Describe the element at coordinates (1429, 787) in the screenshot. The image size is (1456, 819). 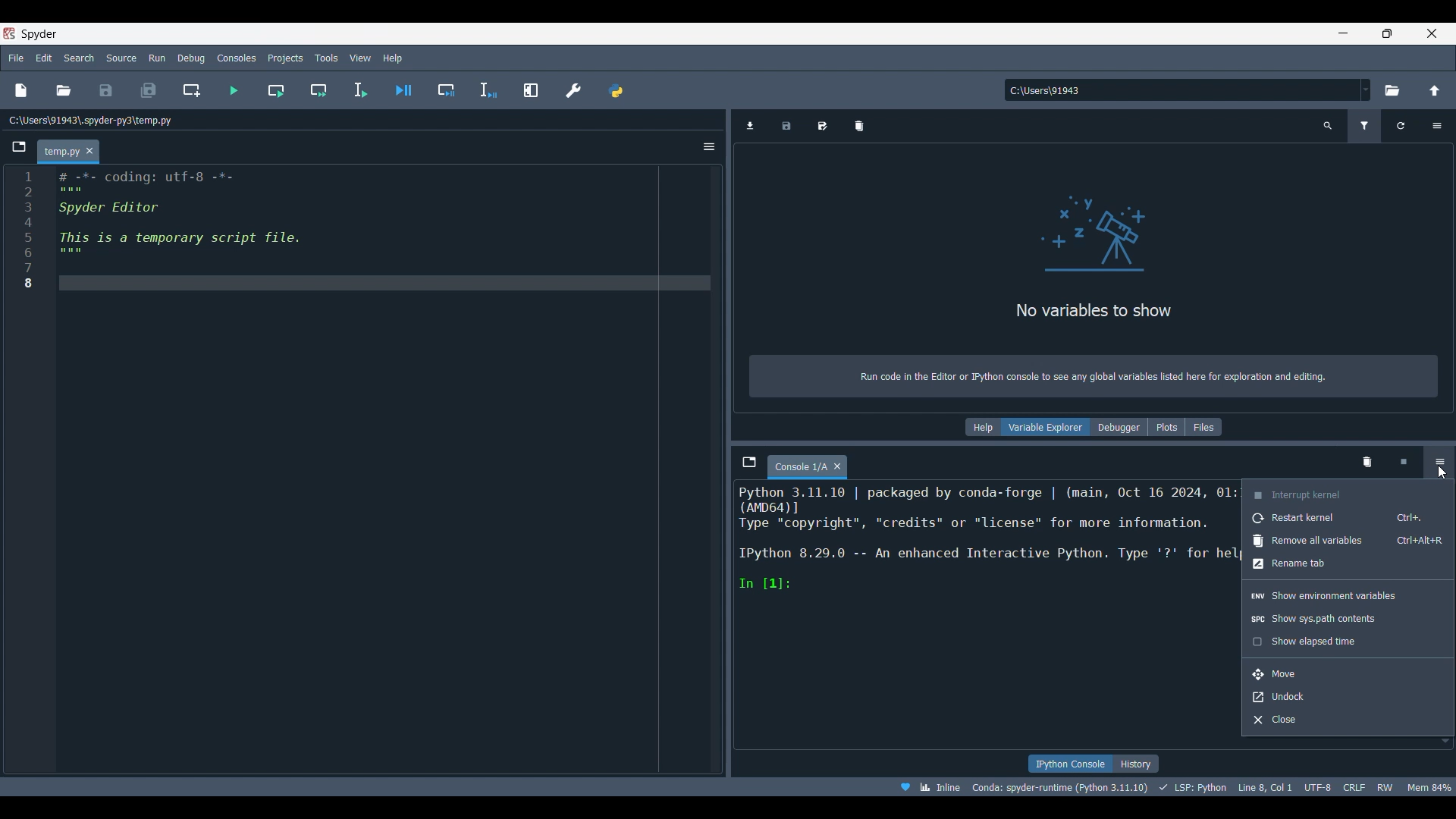
I see `Men` at that location.